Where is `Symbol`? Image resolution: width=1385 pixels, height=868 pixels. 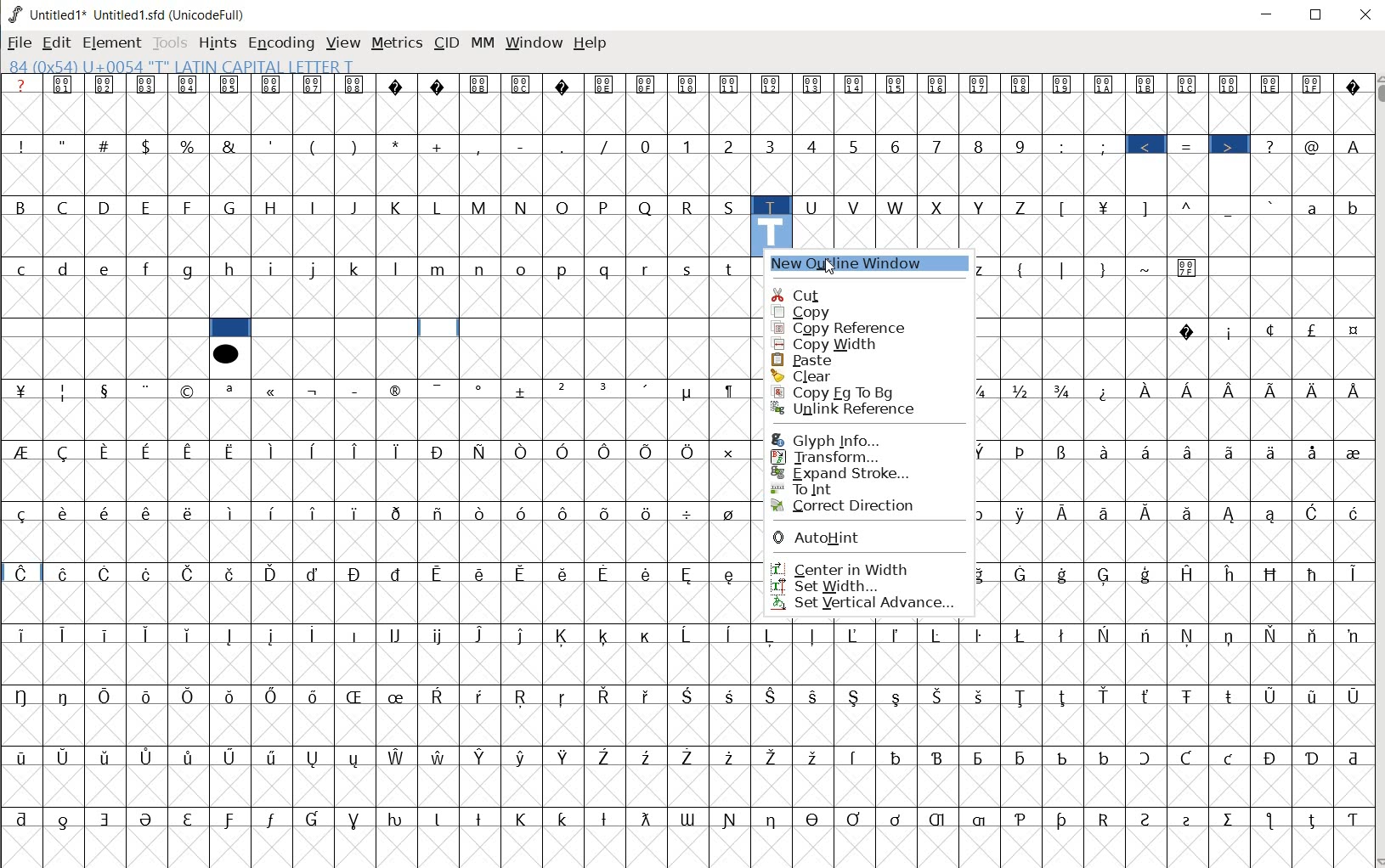 Symbol is located at coordinates (105, 511).